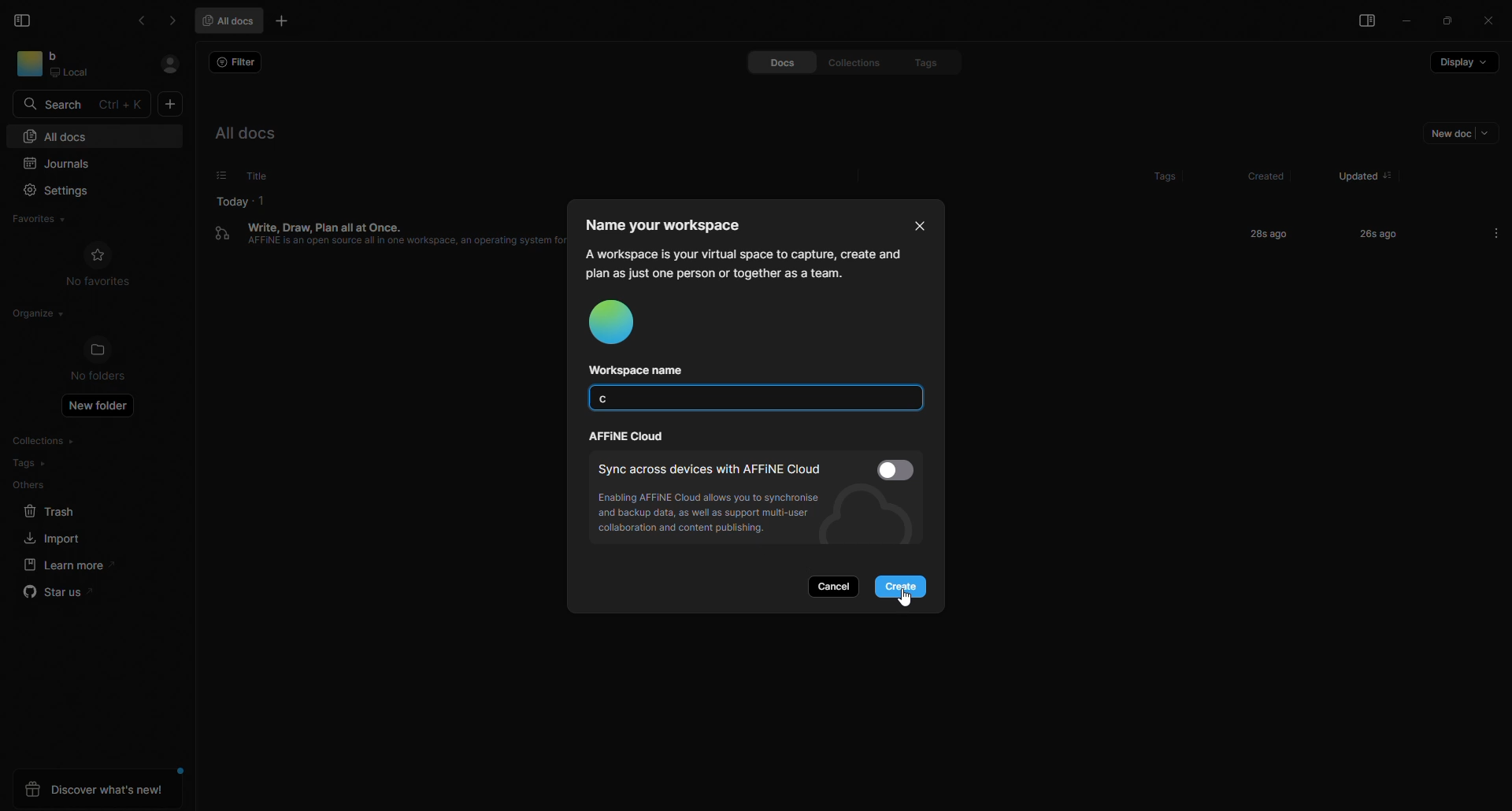 This screenshot has width=1512, height=811. I want to click on close, so click(1488, 20).